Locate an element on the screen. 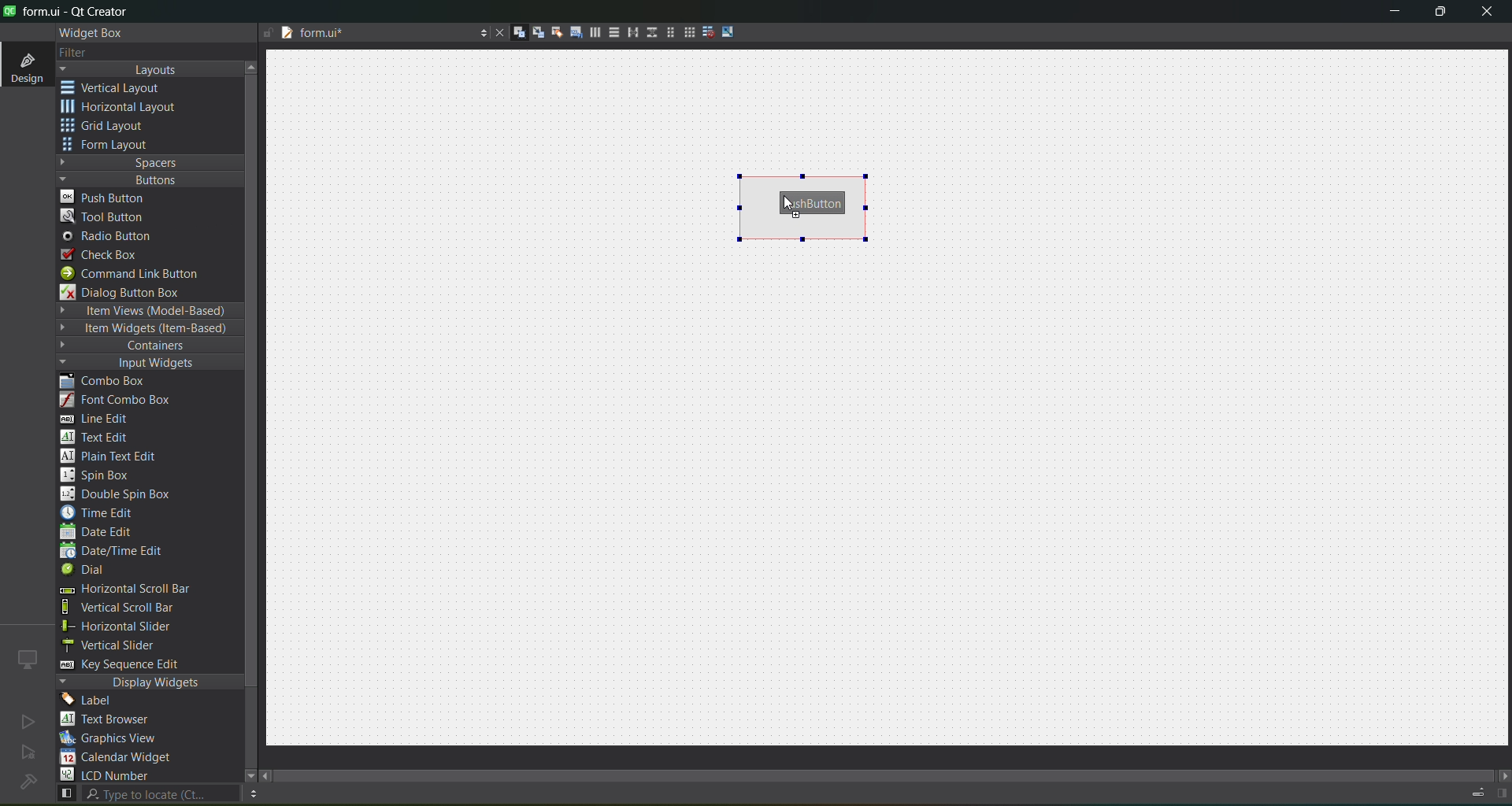 The height and width of the screenshot is (806, 1512). vertical is located at coordinates (122, 88).